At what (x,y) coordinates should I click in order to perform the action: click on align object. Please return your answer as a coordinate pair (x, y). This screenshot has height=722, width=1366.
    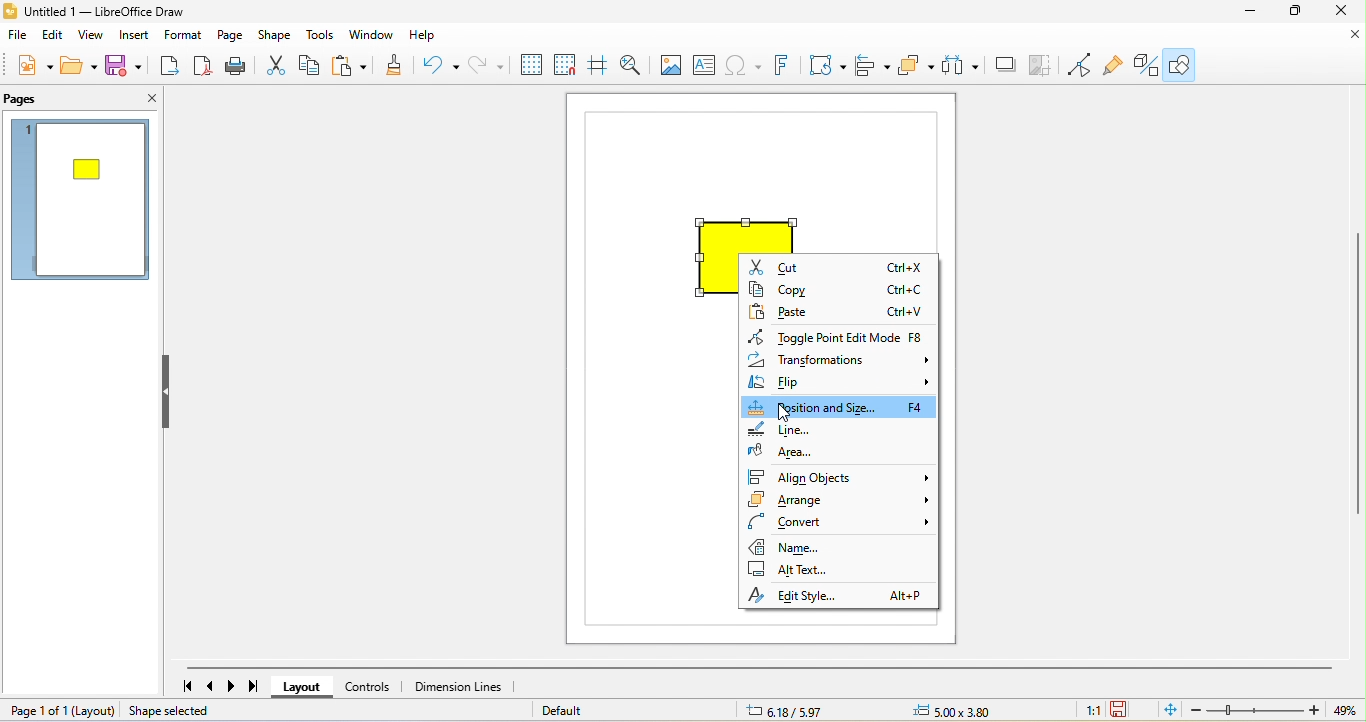
    Looking at the image, I should click on (874, 67).